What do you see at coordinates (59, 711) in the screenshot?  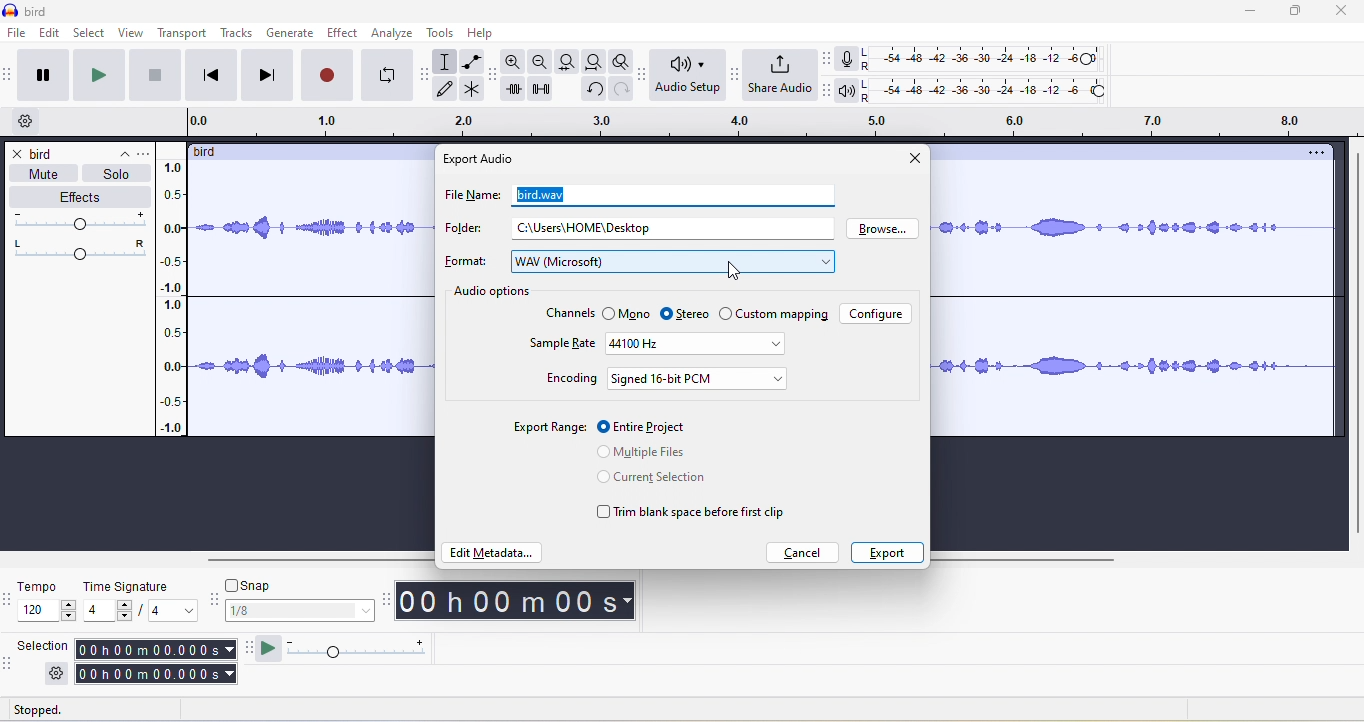 I see `stopped` at bounding box center [59, 711].